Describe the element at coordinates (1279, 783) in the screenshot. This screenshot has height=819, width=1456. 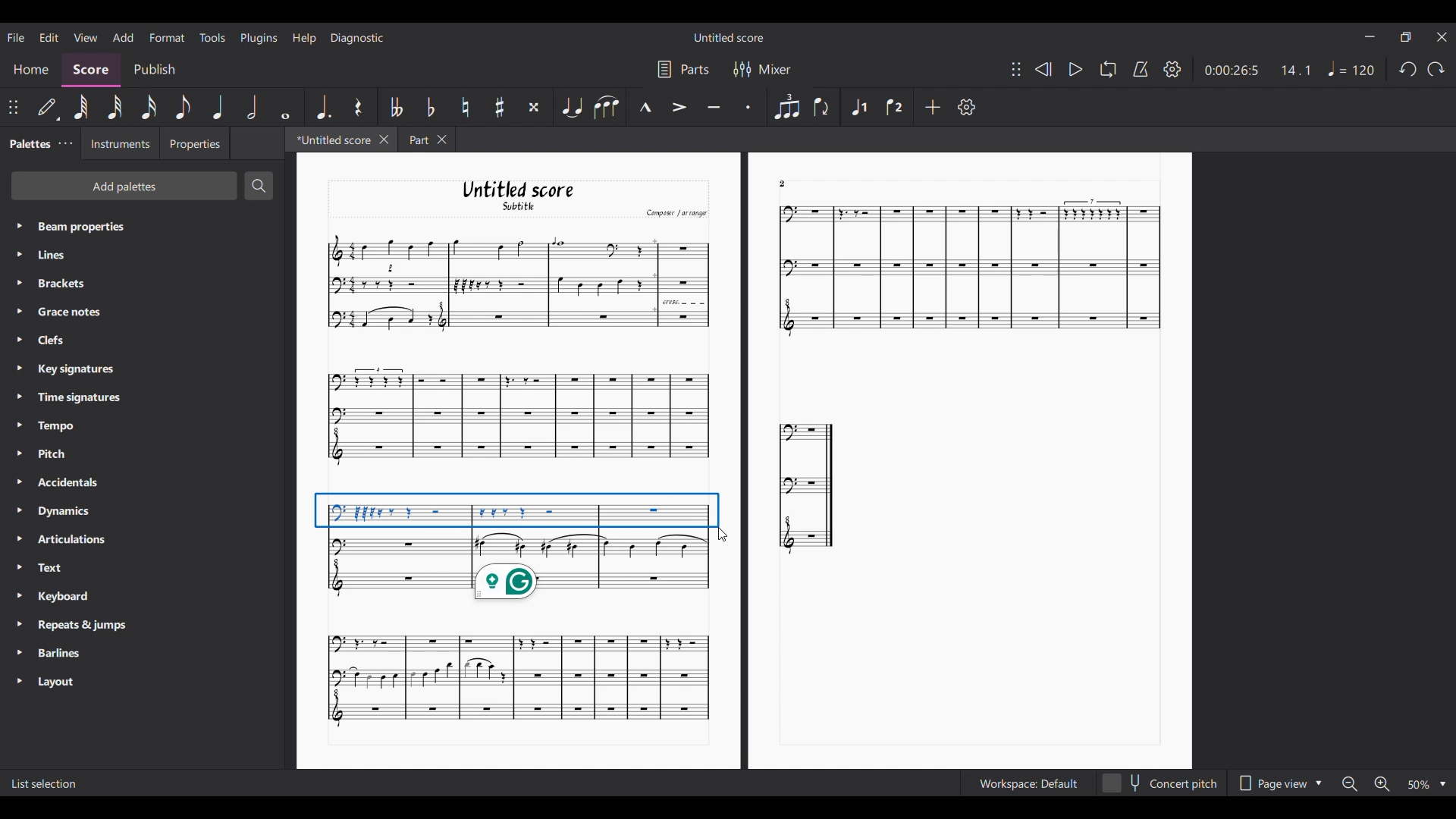
I see `Page view ` at that location.